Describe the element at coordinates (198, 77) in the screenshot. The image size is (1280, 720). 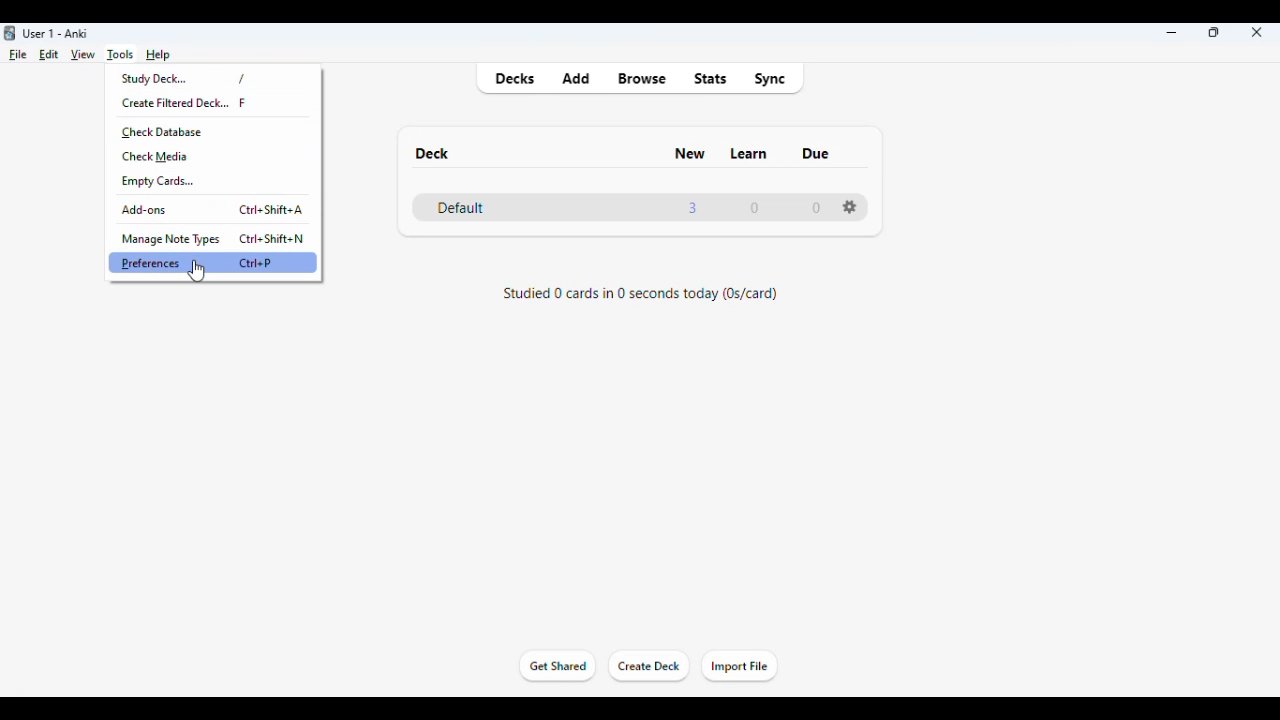
I see `study deck.. /` at that location.